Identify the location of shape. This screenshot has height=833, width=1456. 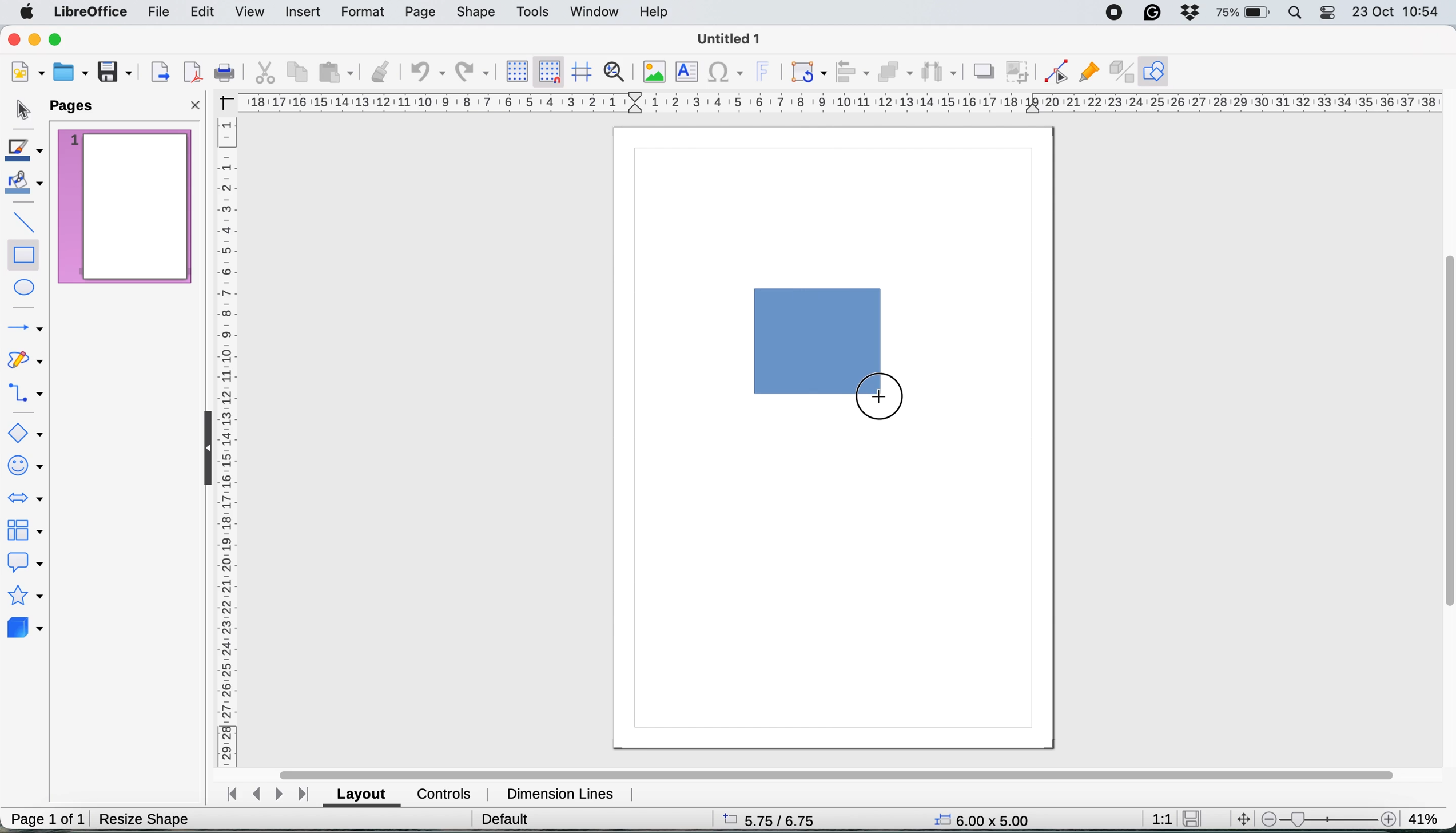
(477, 13).